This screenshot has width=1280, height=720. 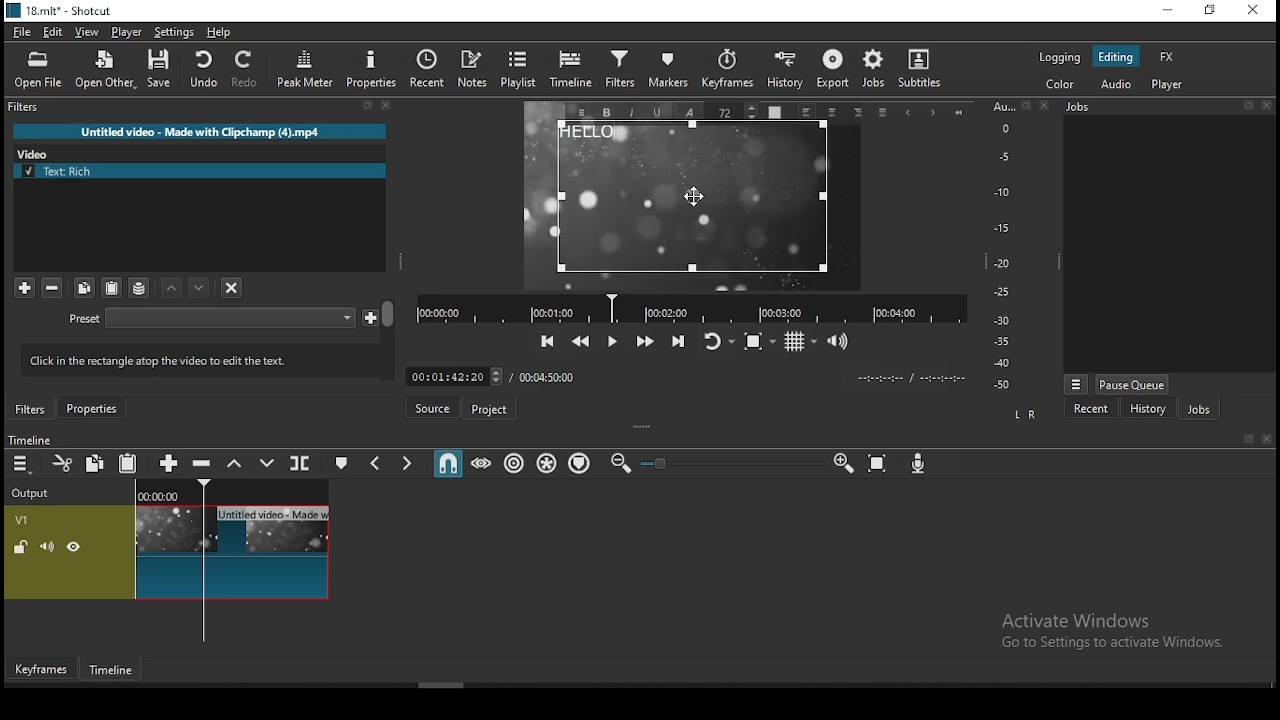 What do you see at coordinates (62, 463) in the screenshot?
I see `cut` at bounding box center [62, 463].